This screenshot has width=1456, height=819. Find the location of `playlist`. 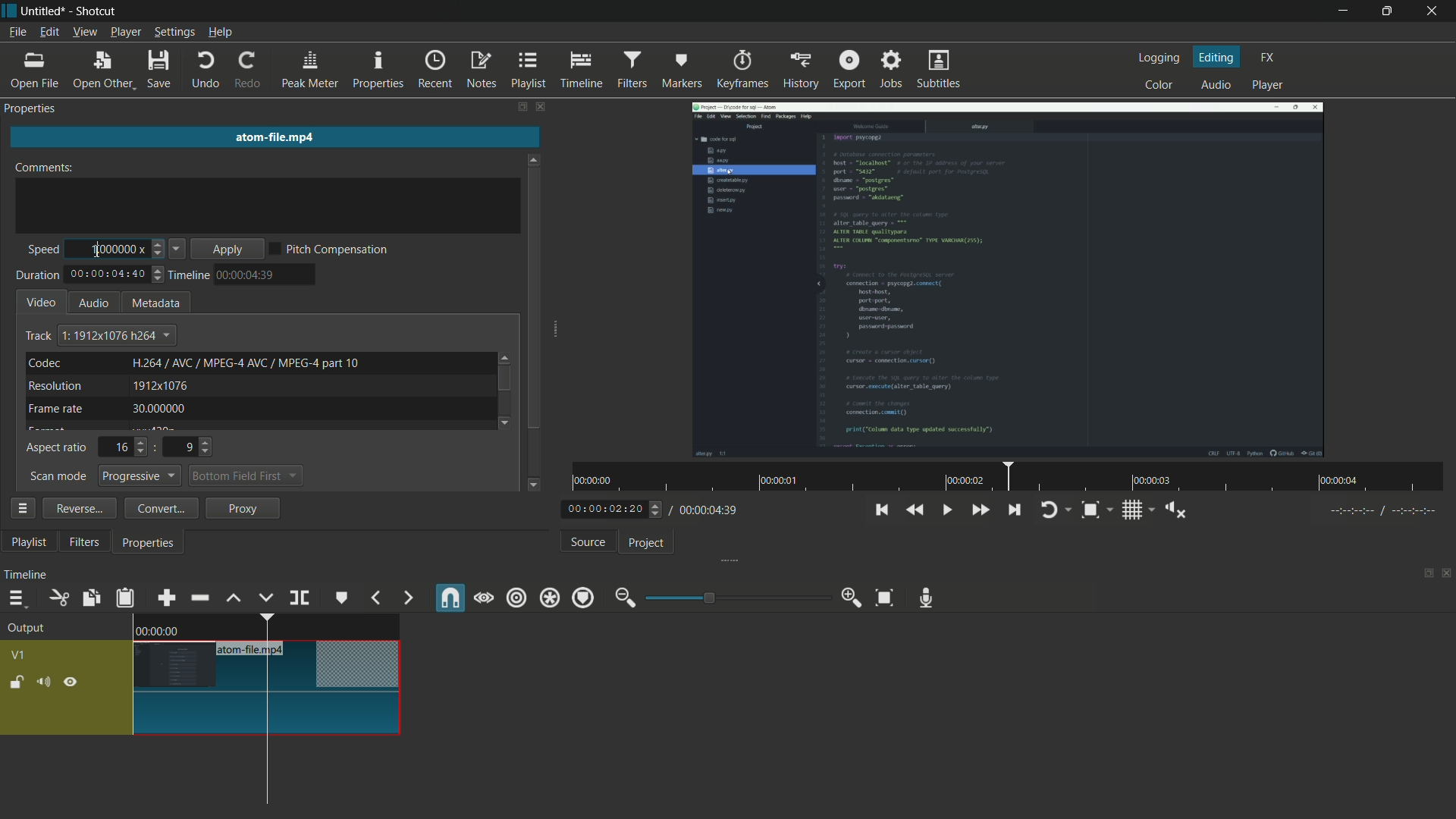

playlist is located at coordinates (527, 71).